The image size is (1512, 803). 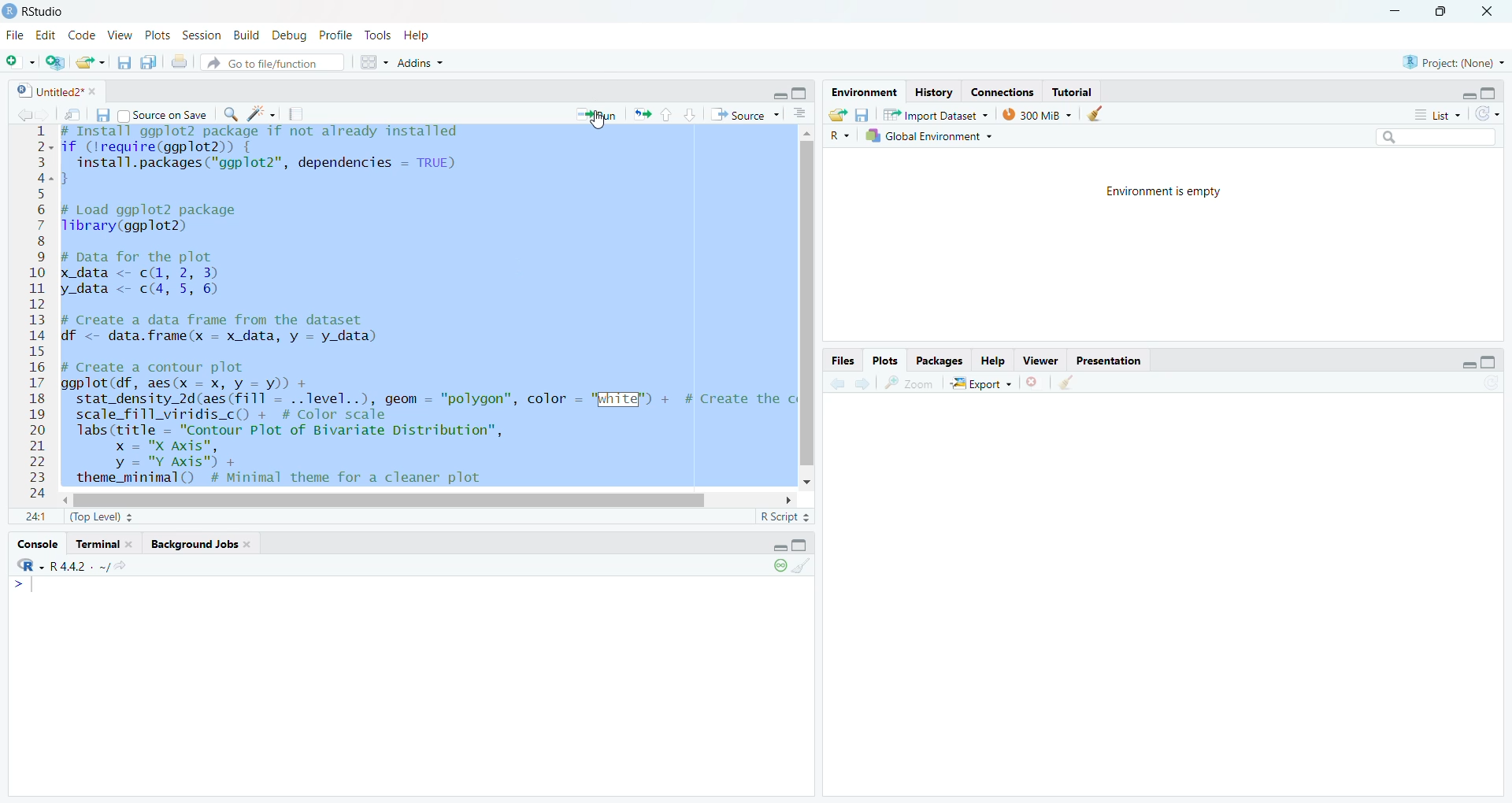 I want to click on console, so click(x=39, y=547).